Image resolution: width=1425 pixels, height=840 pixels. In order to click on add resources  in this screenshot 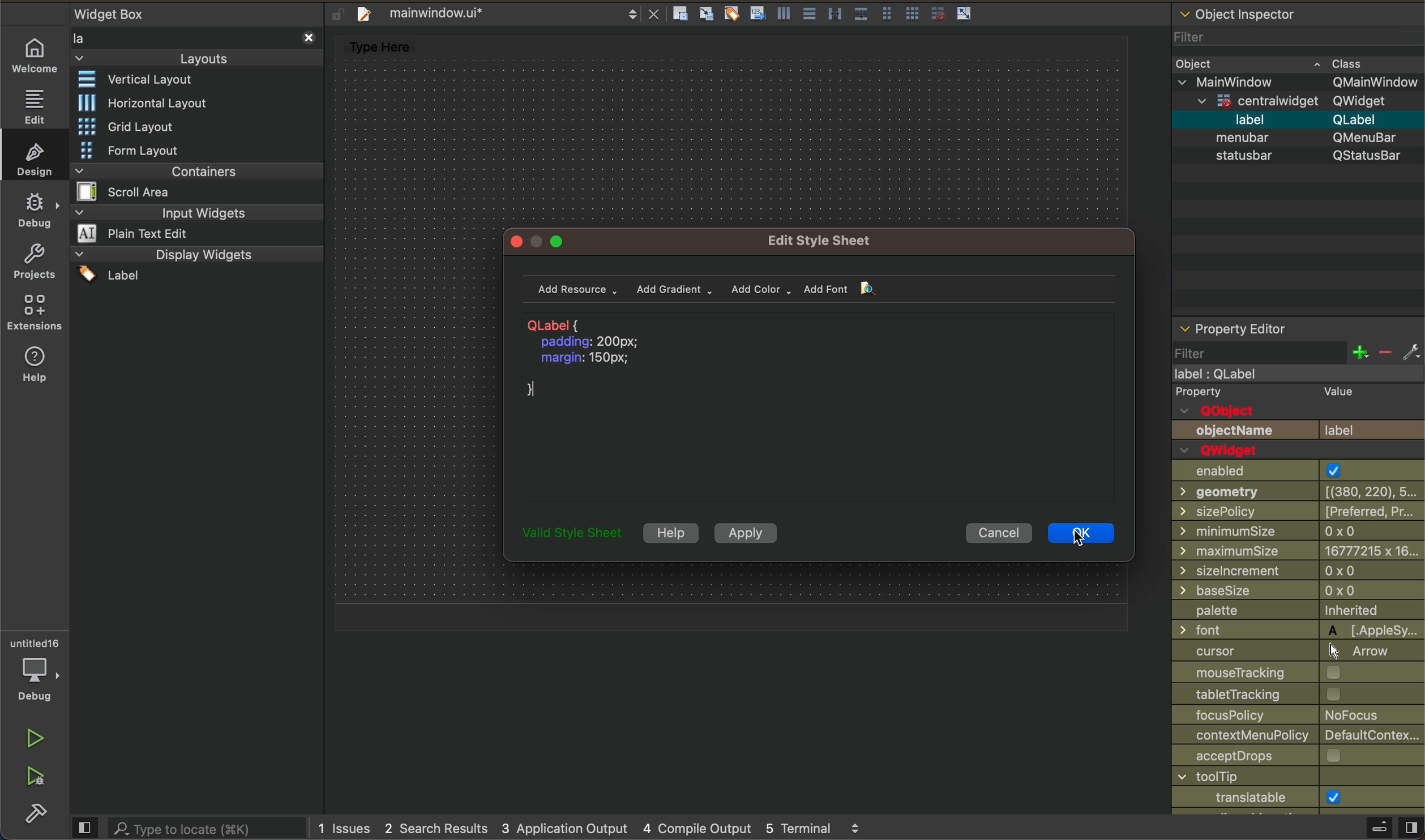, I will do `click(577, 288)`.